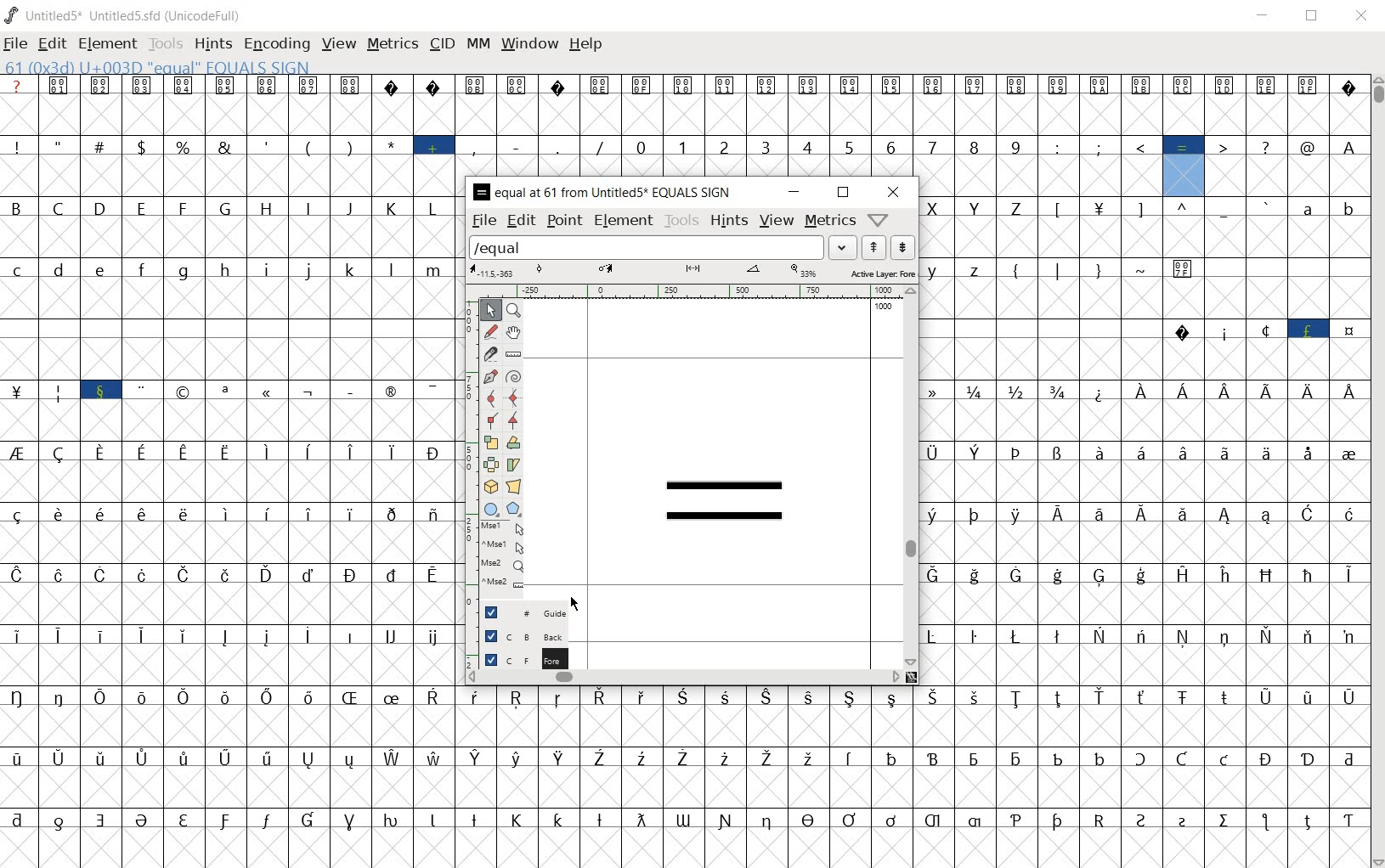 The width and height of the screenshot is (1385, 868). I want to click on hints, so click(728, 222).